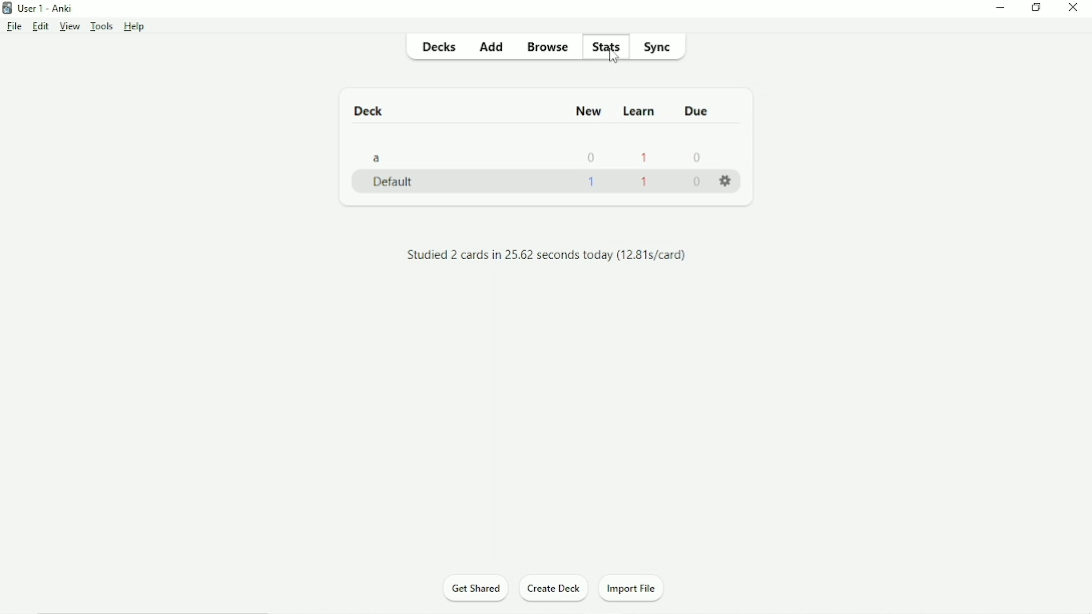 The height and width of the screenshot is (614, 1092). I want to click on Stats, so click(603, 47).